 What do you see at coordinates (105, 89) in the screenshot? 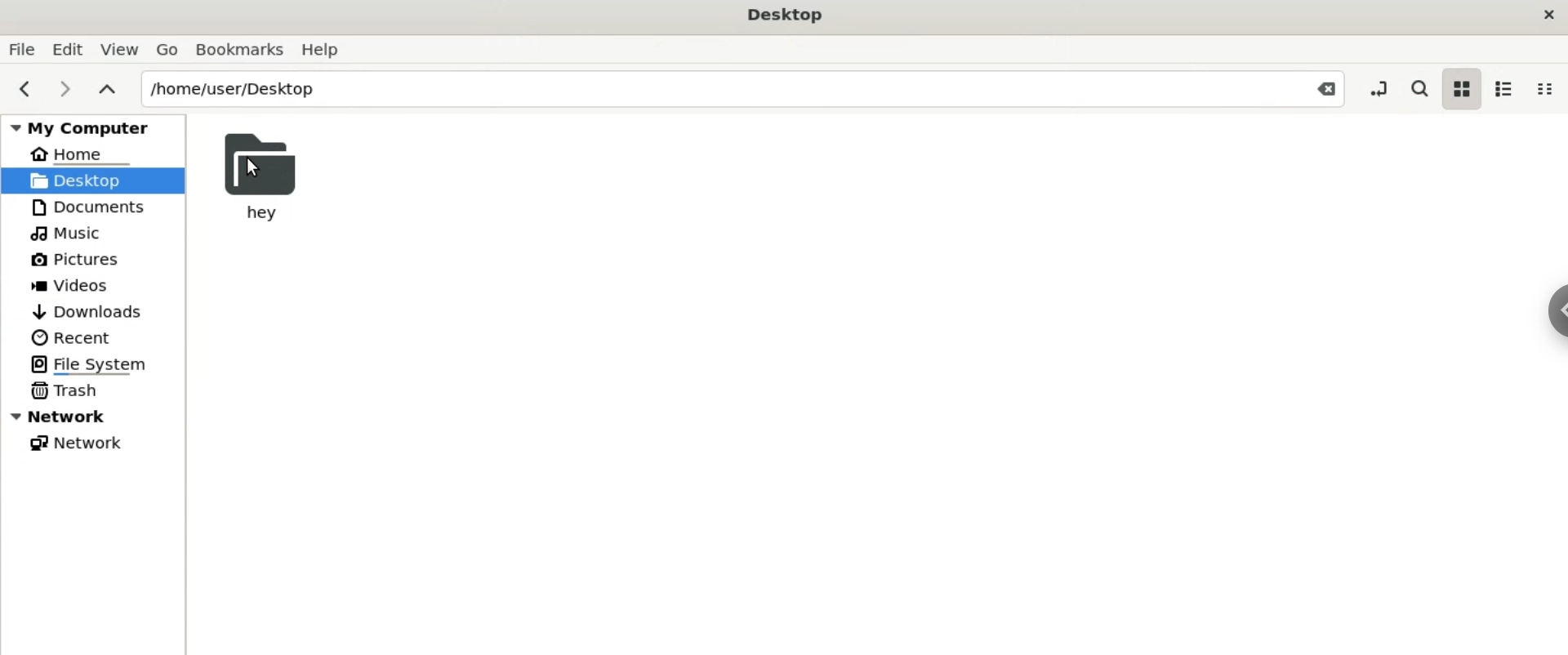
I see `parent folders` at bounding box center [105, 89].